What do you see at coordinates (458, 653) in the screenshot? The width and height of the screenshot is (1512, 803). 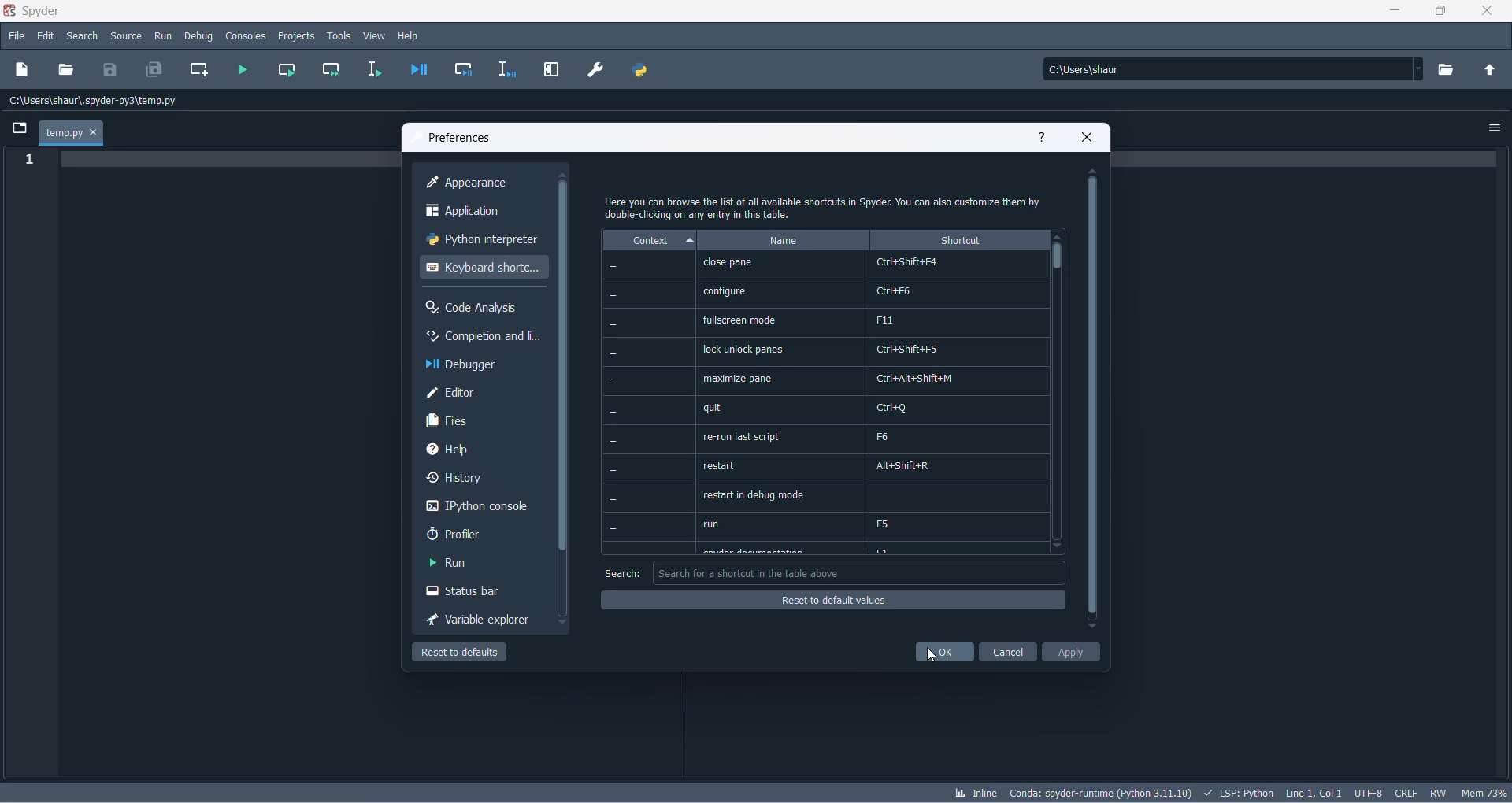 I see `reset to defaul` at bounding box center [458, 653].